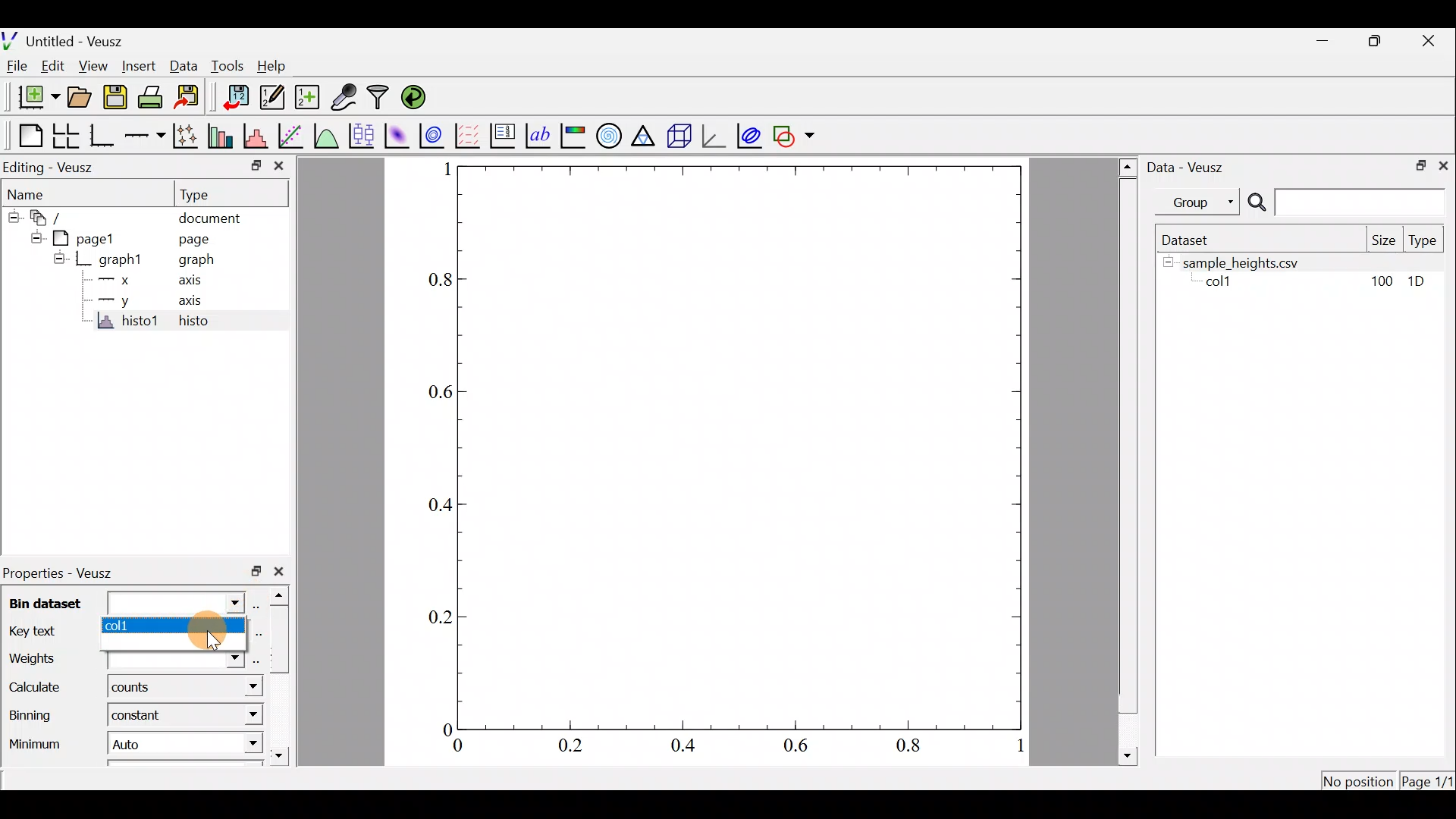 The height and width of the screenshot is (819, 1456). Describe the element at coordinates (37, 739) in the screenshot. I see `Minimum` at that location.